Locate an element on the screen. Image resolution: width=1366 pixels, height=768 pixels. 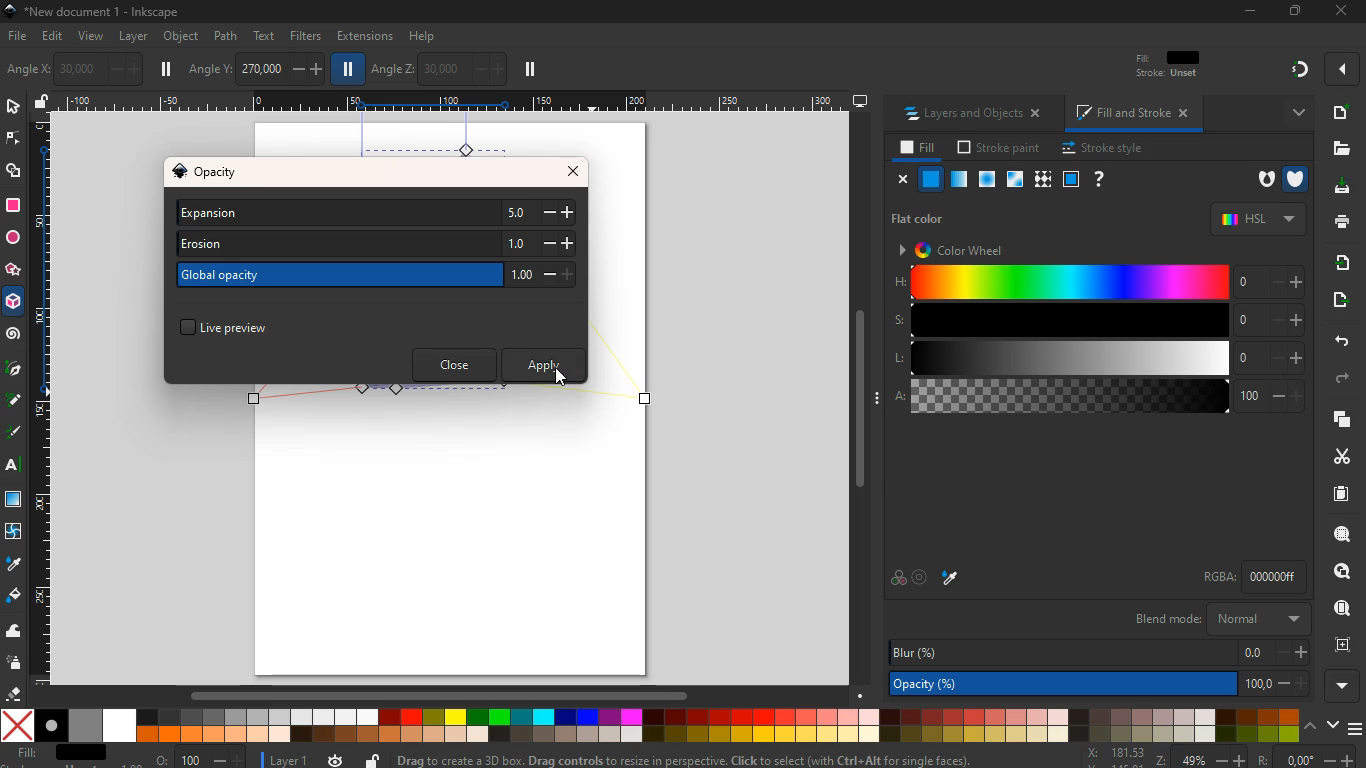
select is located at coordinates (12, 108).